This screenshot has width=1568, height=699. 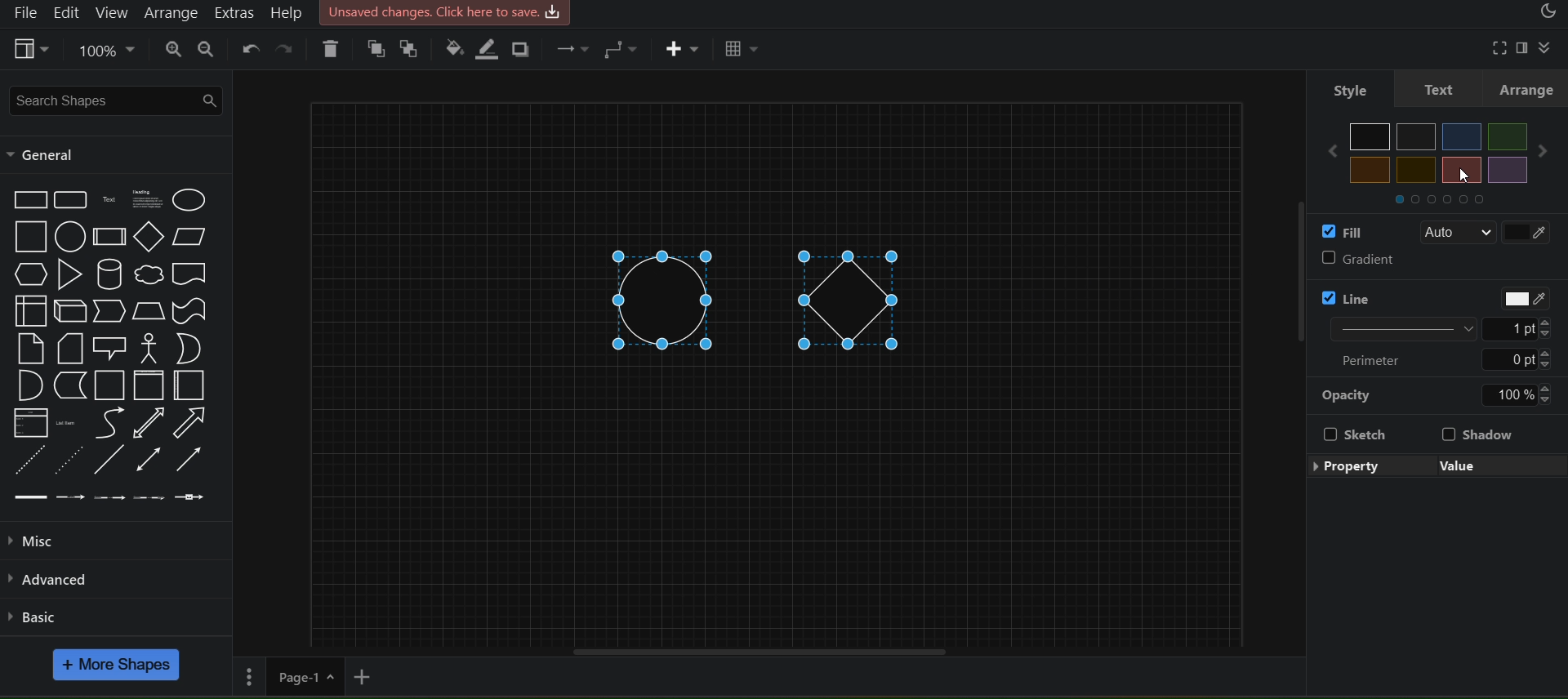 I want to click on , so click(x=1372, y=169).